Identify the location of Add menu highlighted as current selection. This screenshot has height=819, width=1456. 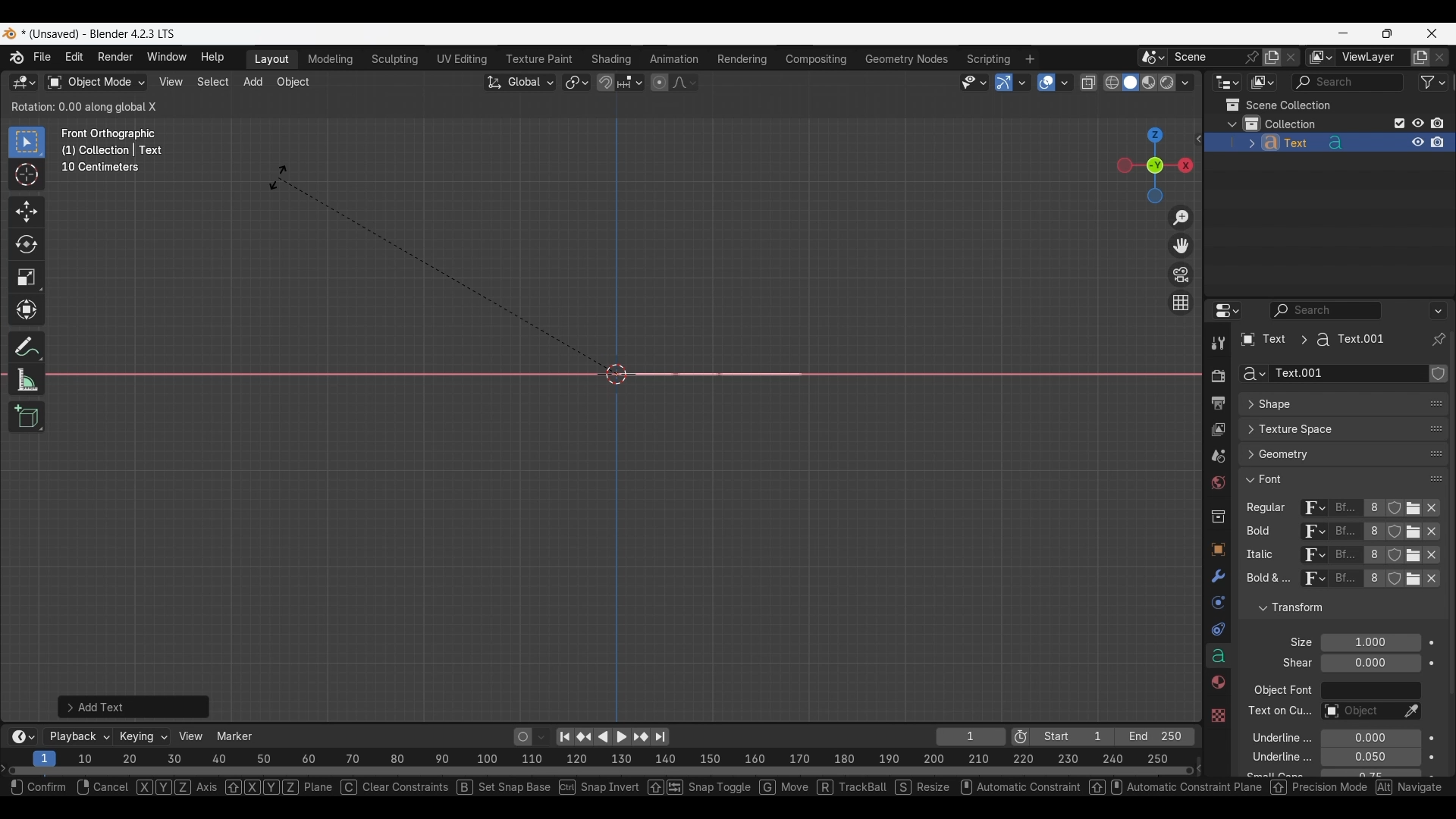
(253, 83).